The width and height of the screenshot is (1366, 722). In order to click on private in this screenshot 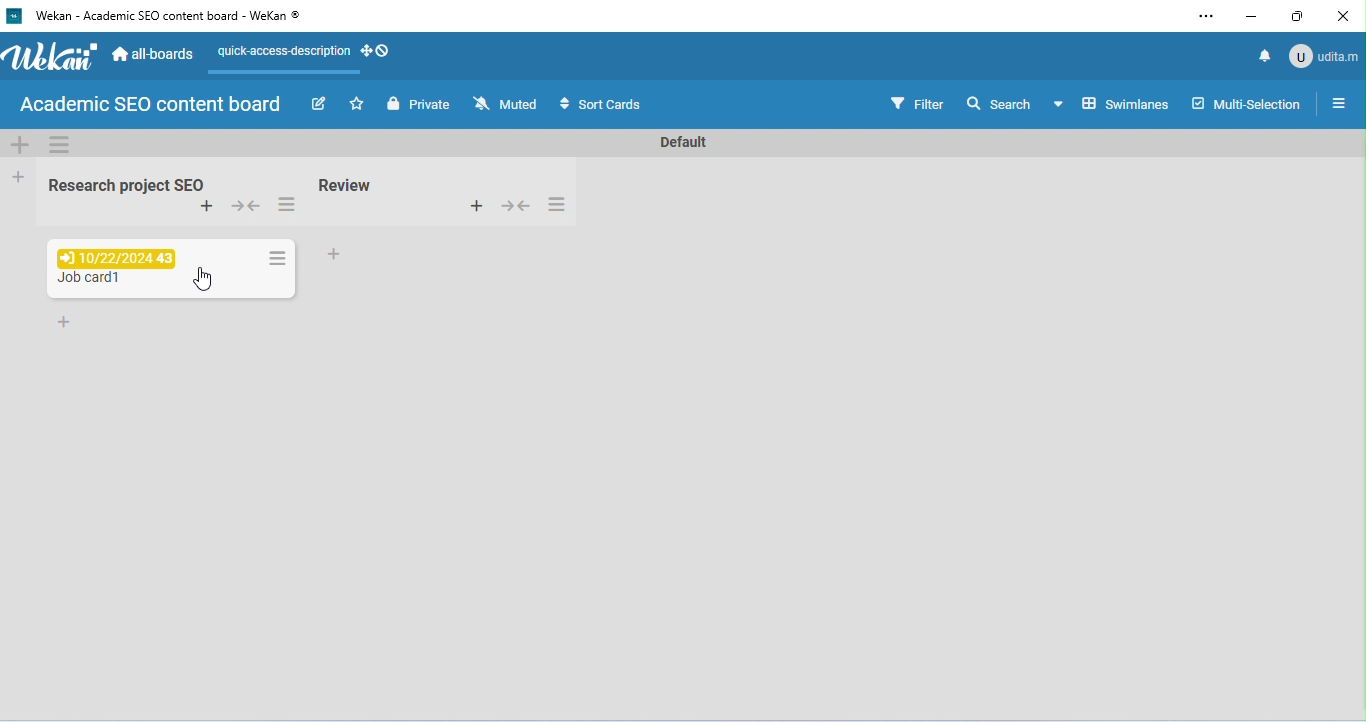, I will do `click(418, 104)`.